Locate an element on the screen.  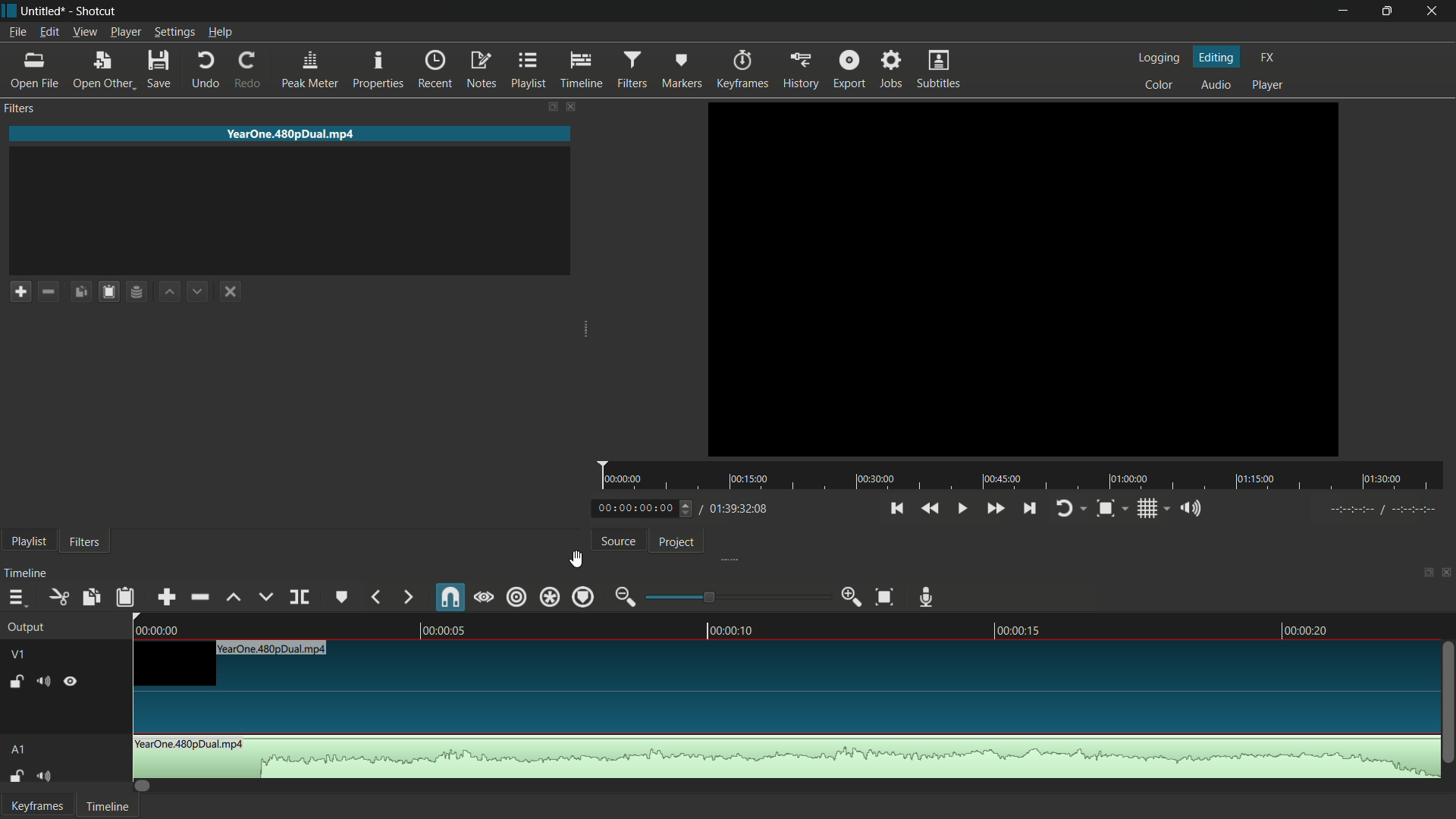
toggle player looping is located at coordinates (1064, 510).